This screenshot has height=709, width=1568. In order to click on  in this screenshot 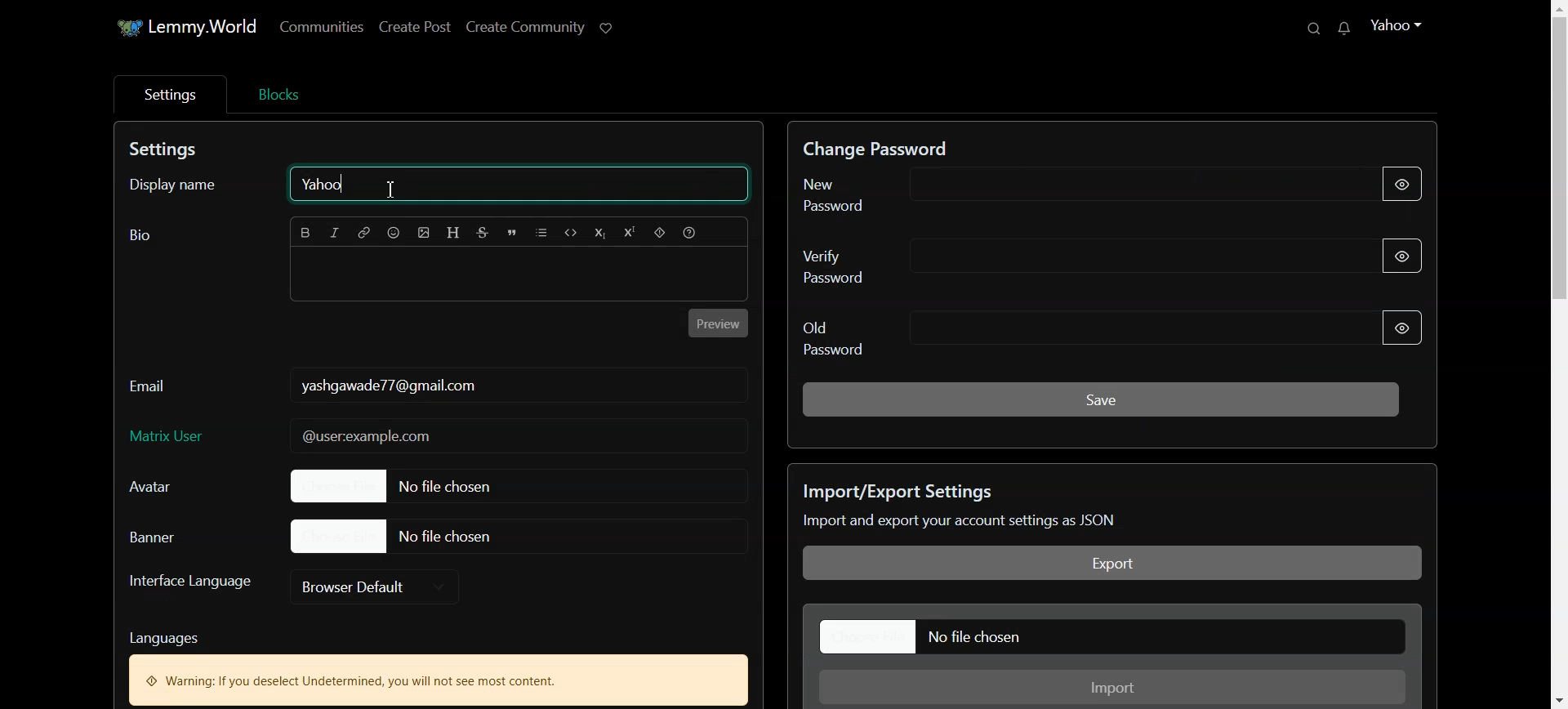, I will do `click(324, 188)`.